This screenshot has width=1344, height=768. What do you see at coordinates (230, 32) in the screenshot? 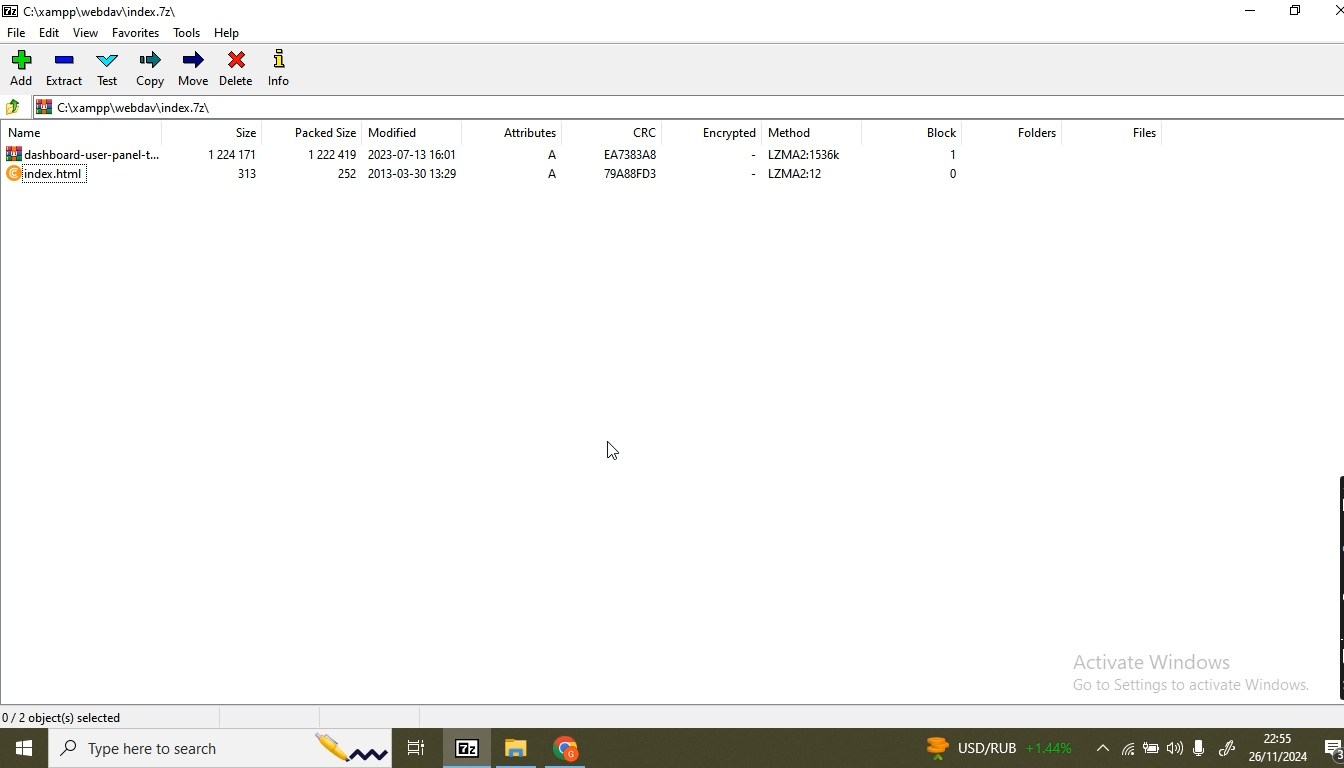
I see `help` at bounding box center [230, 32].